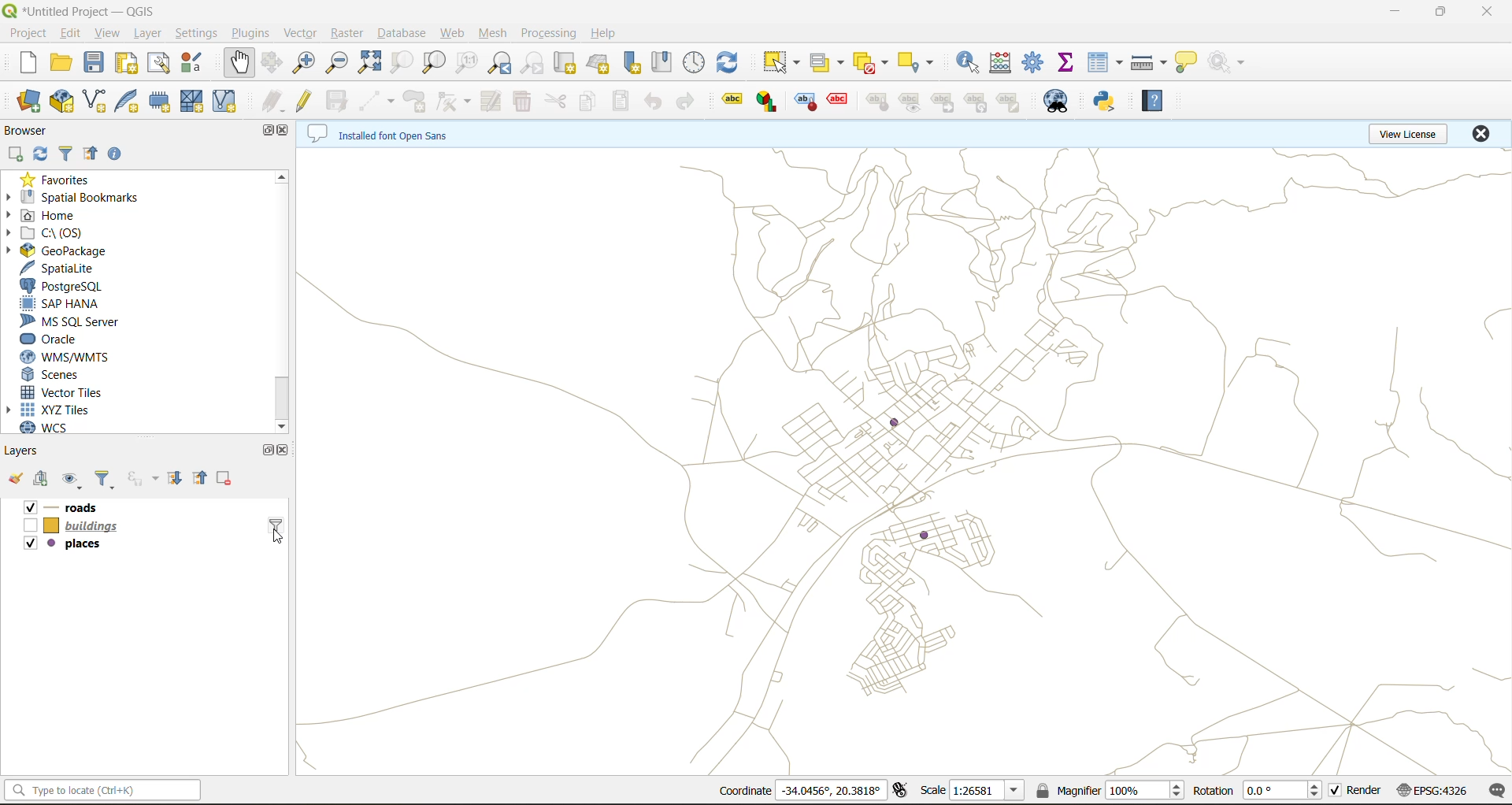  Describe the element at coordinates (100, 478) in the screenshot. I see `filter` at that location.